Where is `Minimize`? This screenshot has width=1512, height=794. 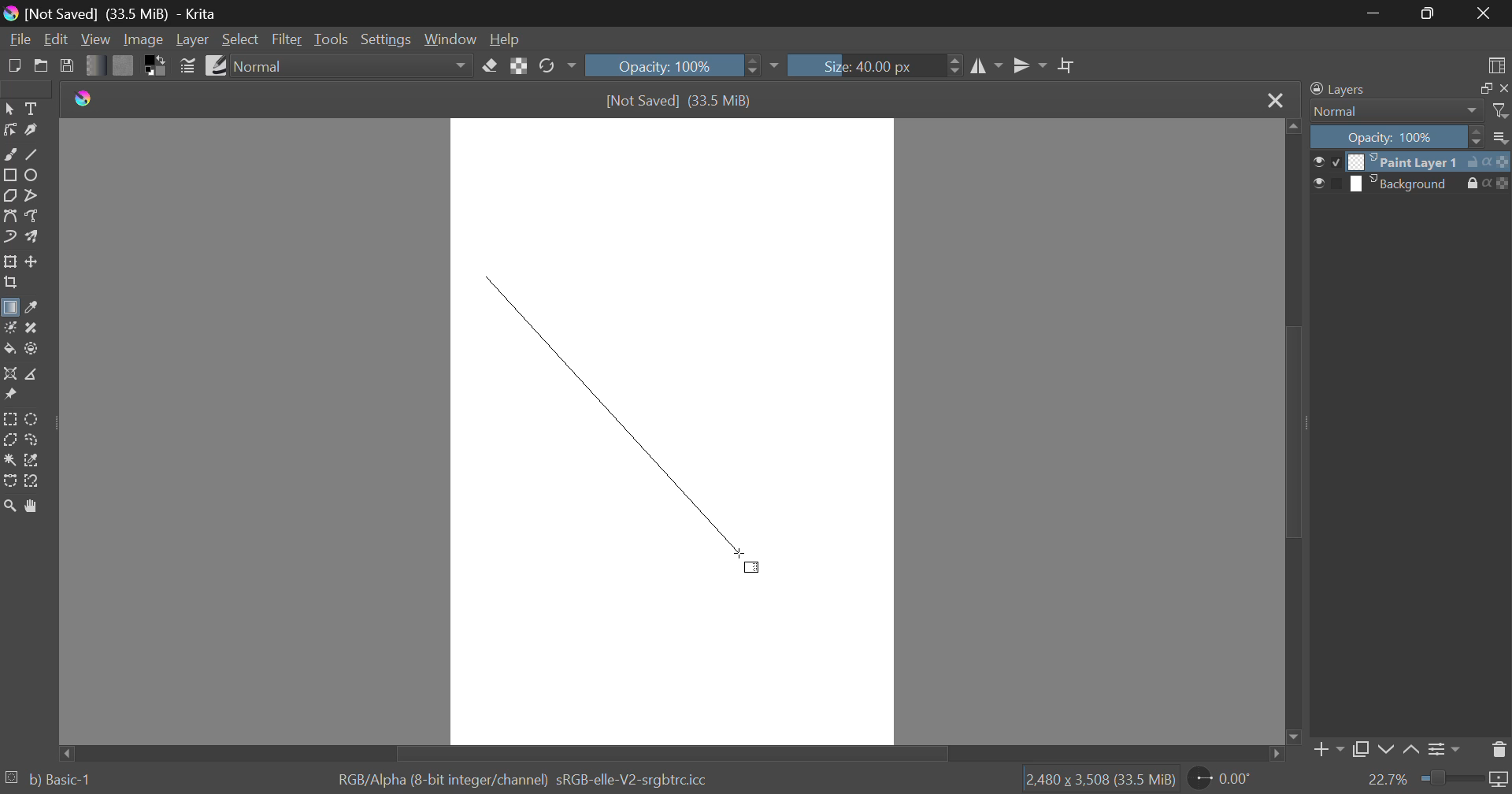
Minimize is located at coordinates (1430, 15).